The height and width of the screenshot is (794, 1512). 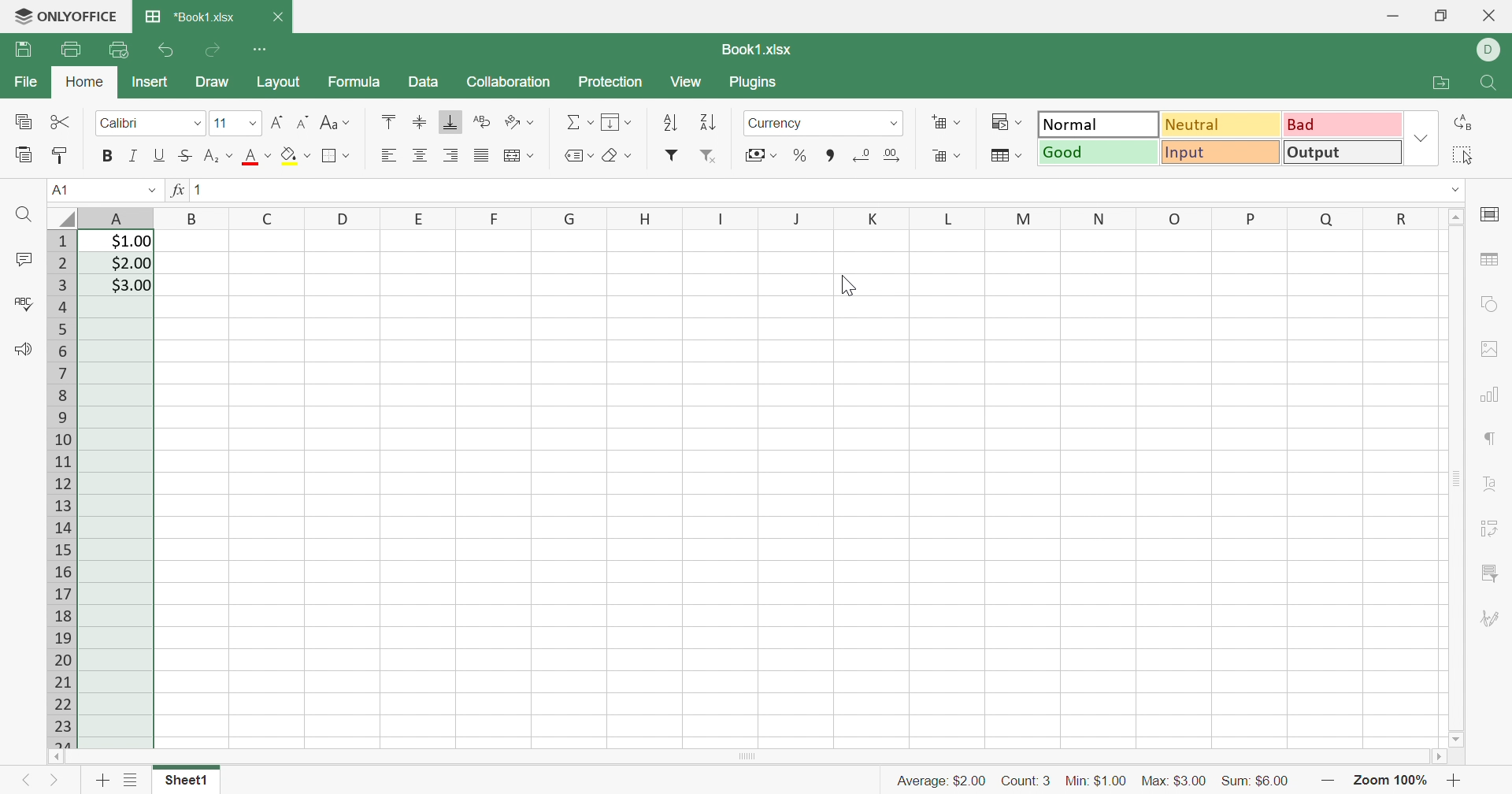 I want to click on Close, so click(x=277, y=17).